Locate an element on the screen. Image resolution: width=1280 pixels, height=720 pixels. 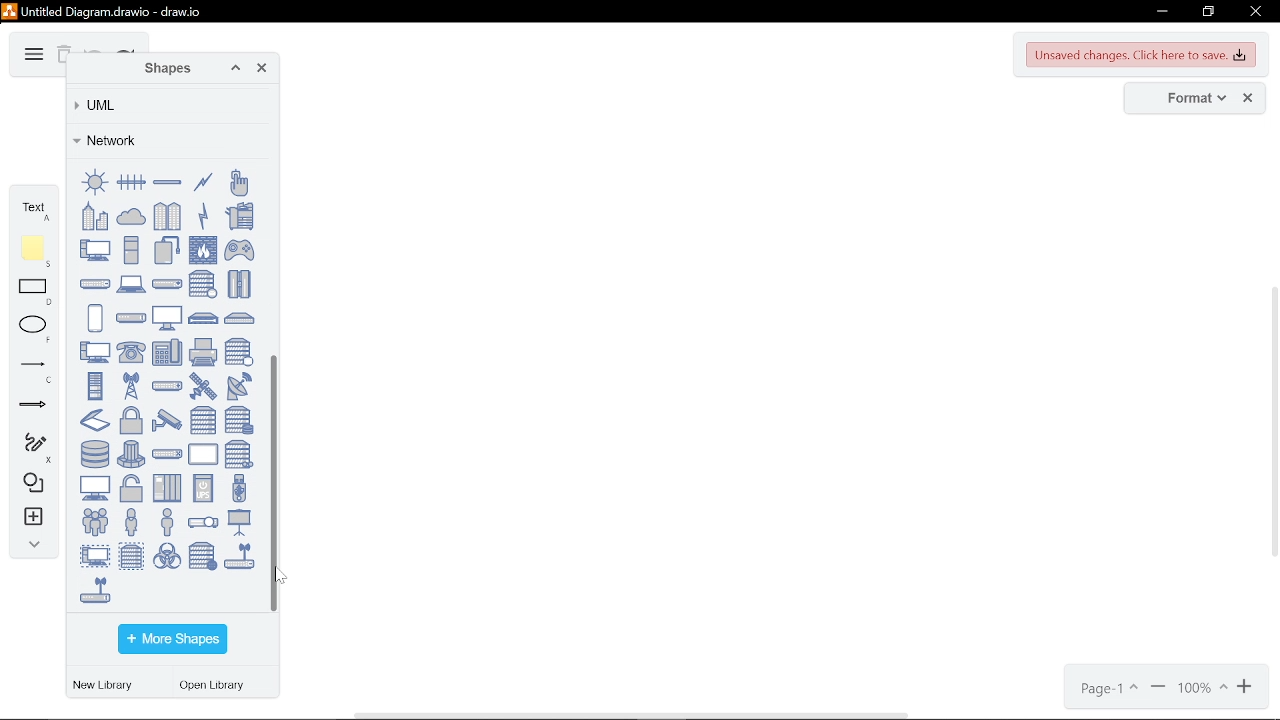
server storage is located at coordinates (239, 420).